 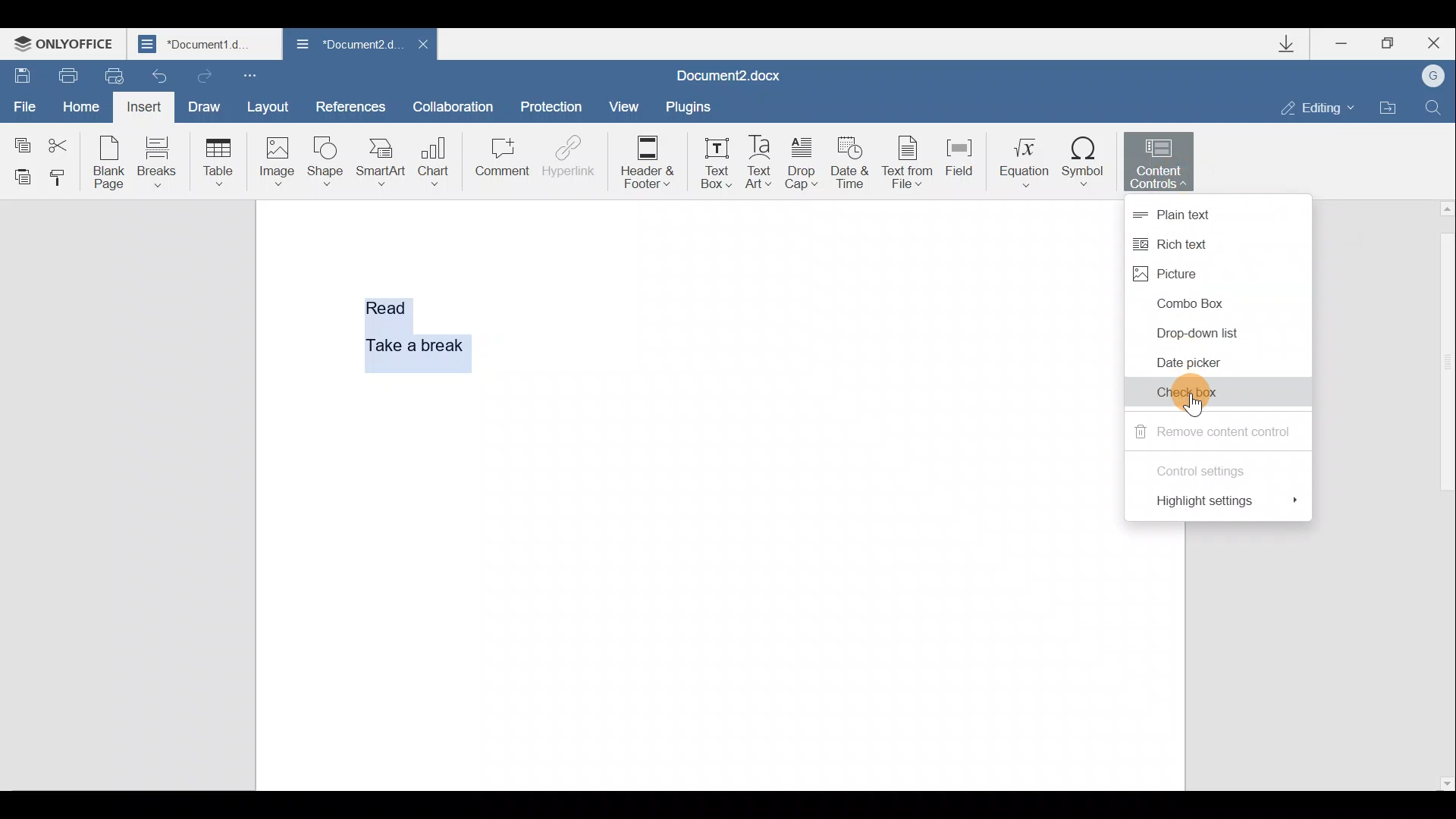 I want to click on Layout, so click(x=276, y=109).